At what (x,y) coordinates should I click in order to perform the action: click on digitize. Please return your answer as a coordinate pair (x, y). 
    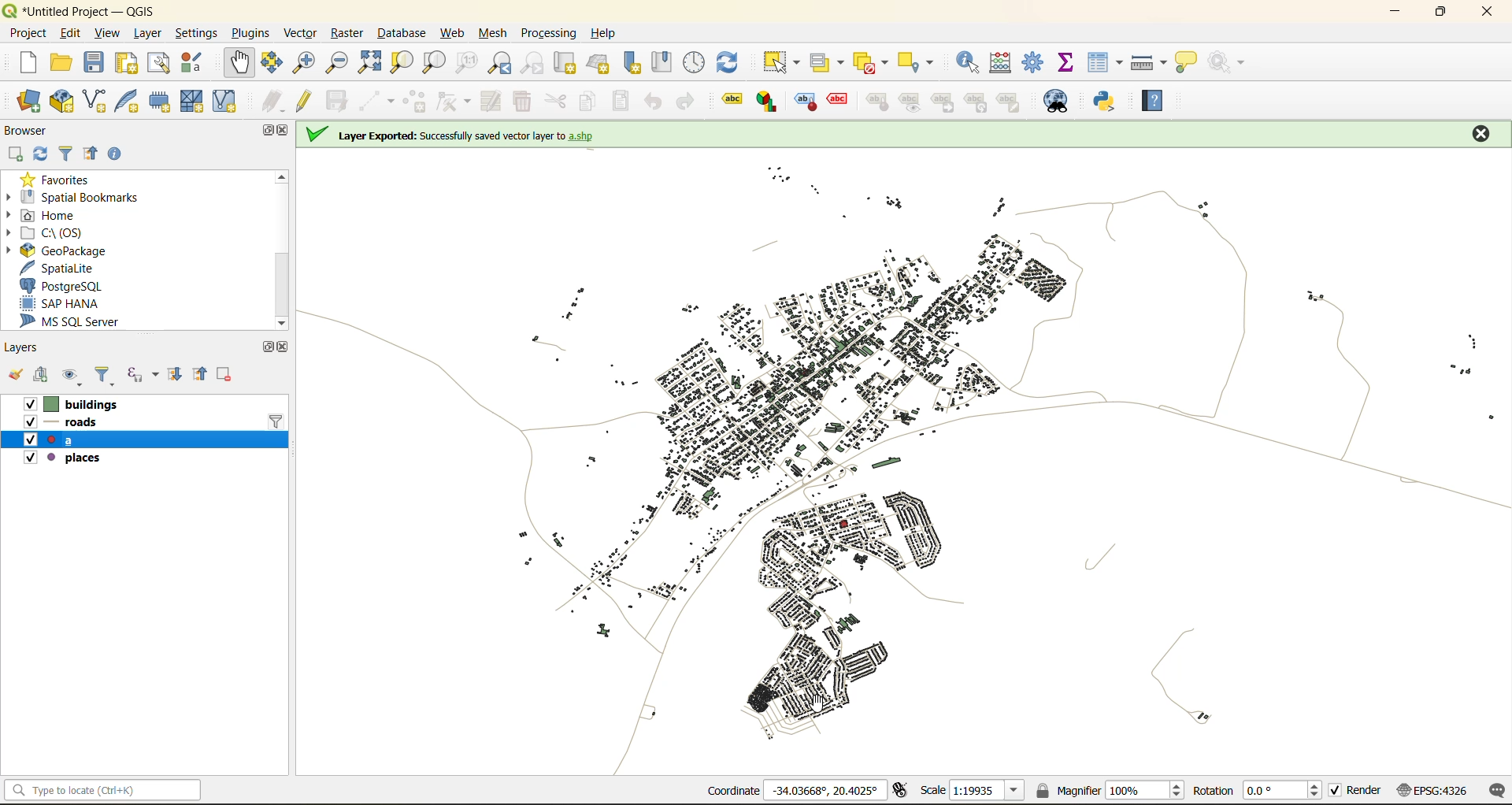
    Looking at the image, I should click on (374, 101).